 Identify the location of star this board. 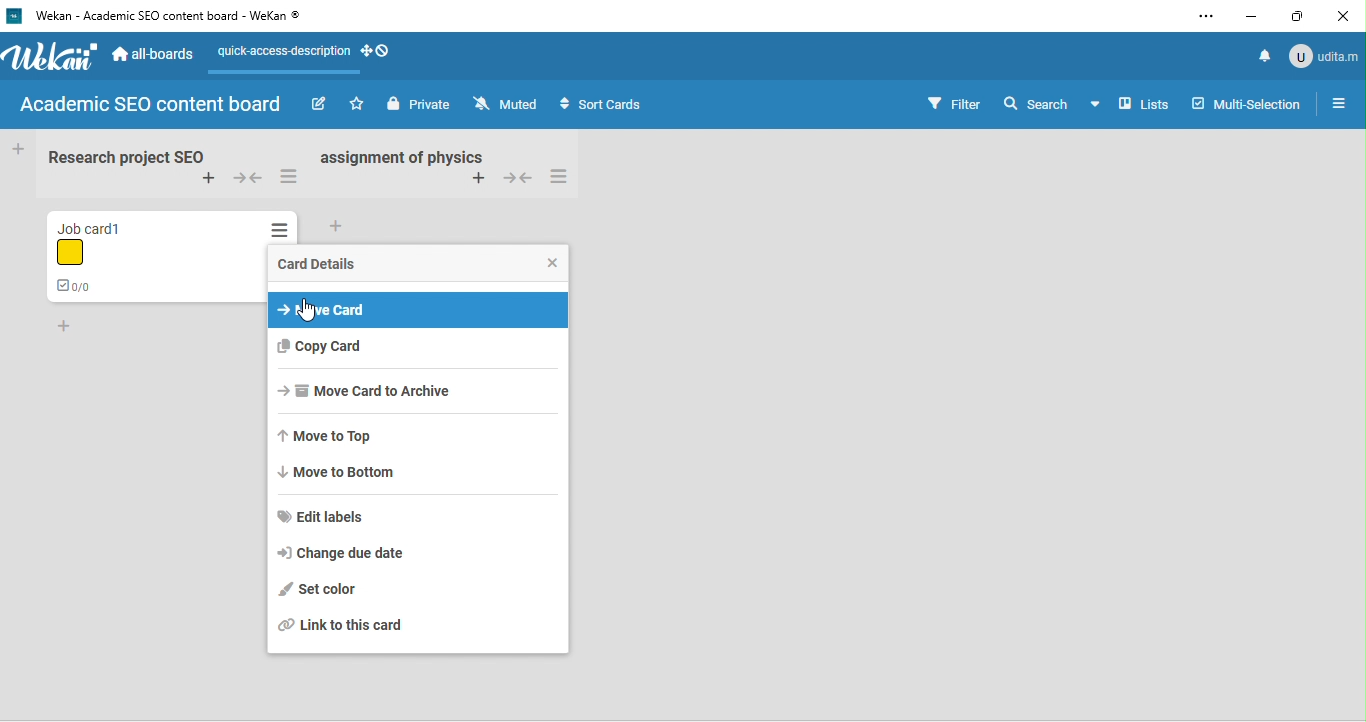
(359, 105).